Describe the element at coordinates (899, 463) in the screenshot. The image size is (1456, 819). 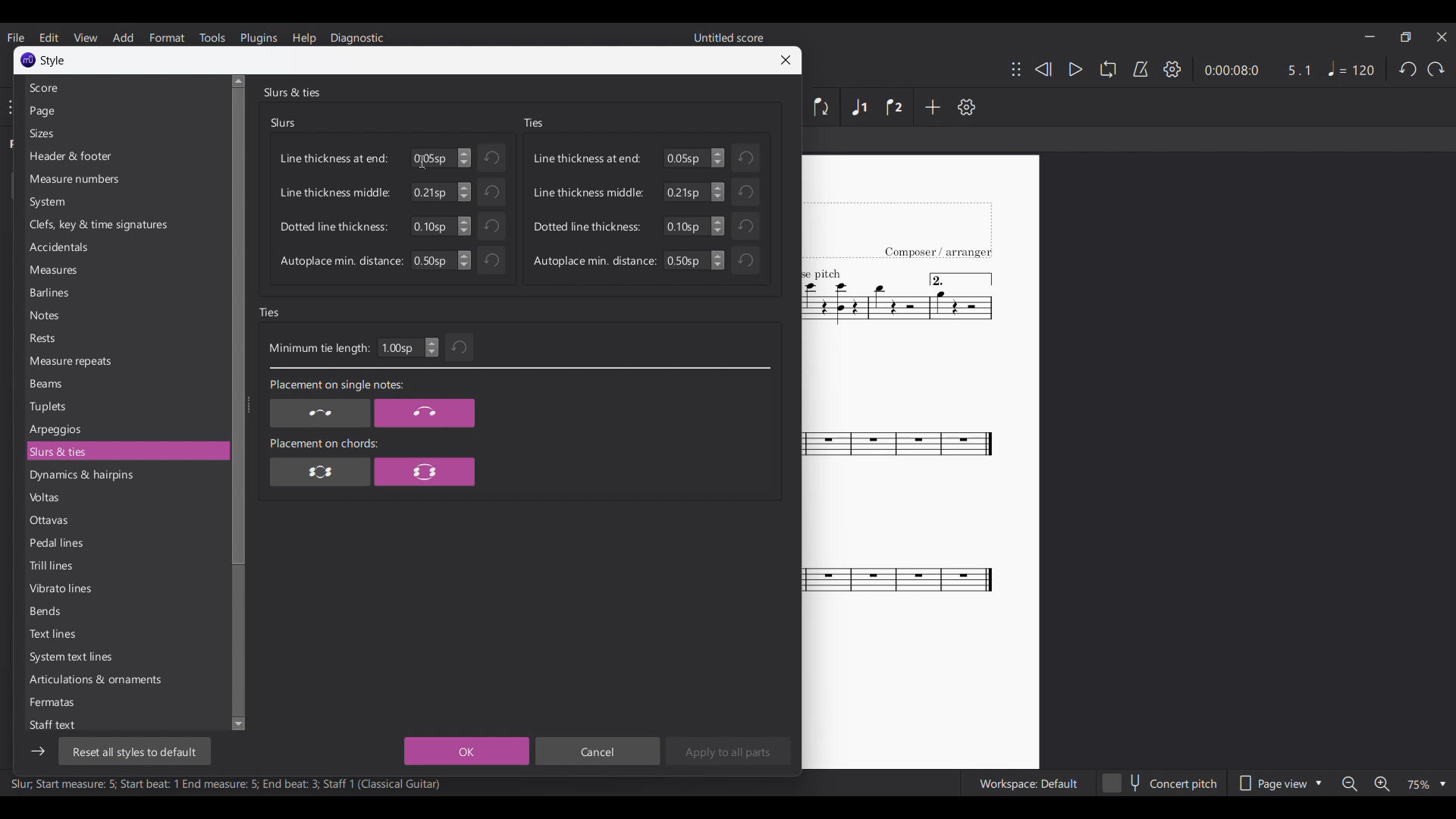
I see `Current score` at that location.